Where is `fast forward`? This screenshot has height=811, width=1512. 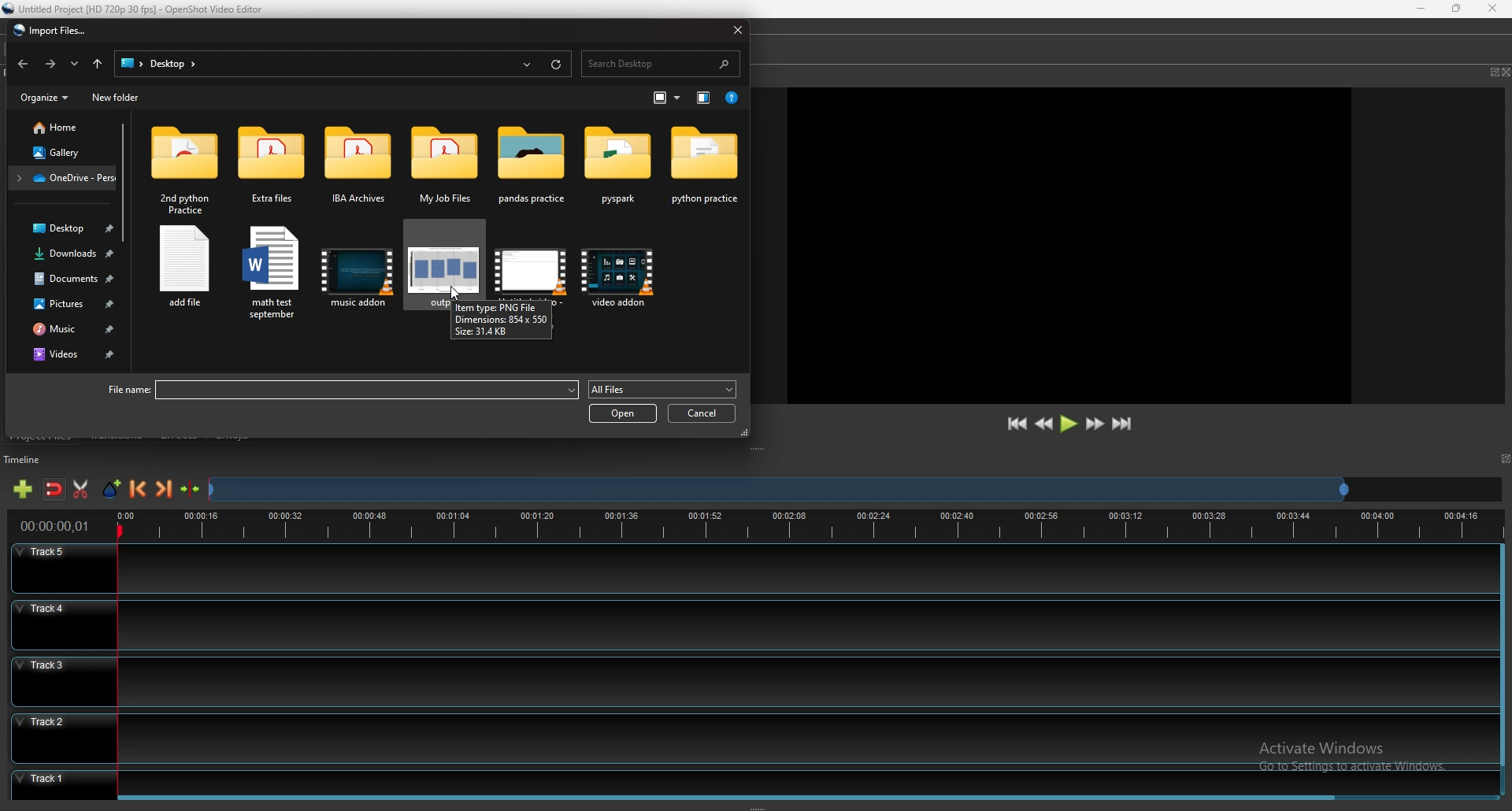
fast forward is located at coordinates (1095, 424).